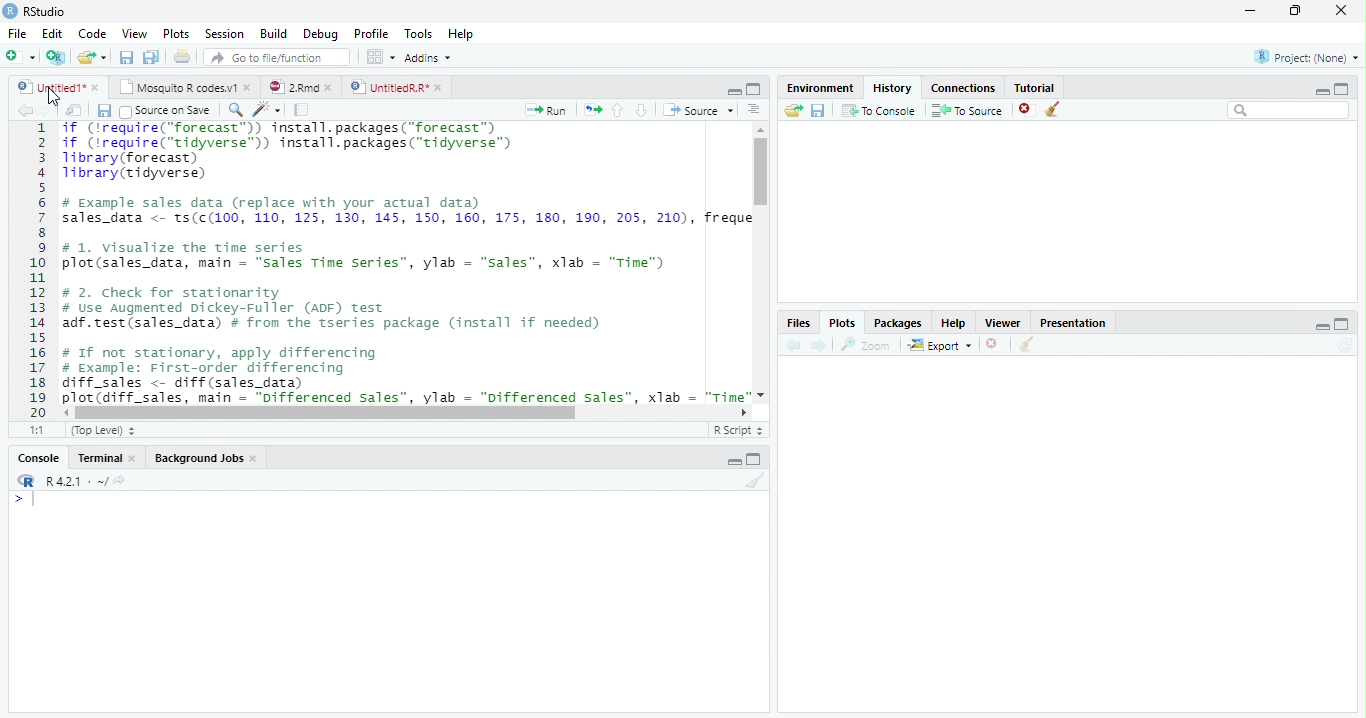 Image resolution: width=1366 pixels, height=718 pixels. Describe the element at coordinates (818, 110) in the screenshot. I see `save` at that location.